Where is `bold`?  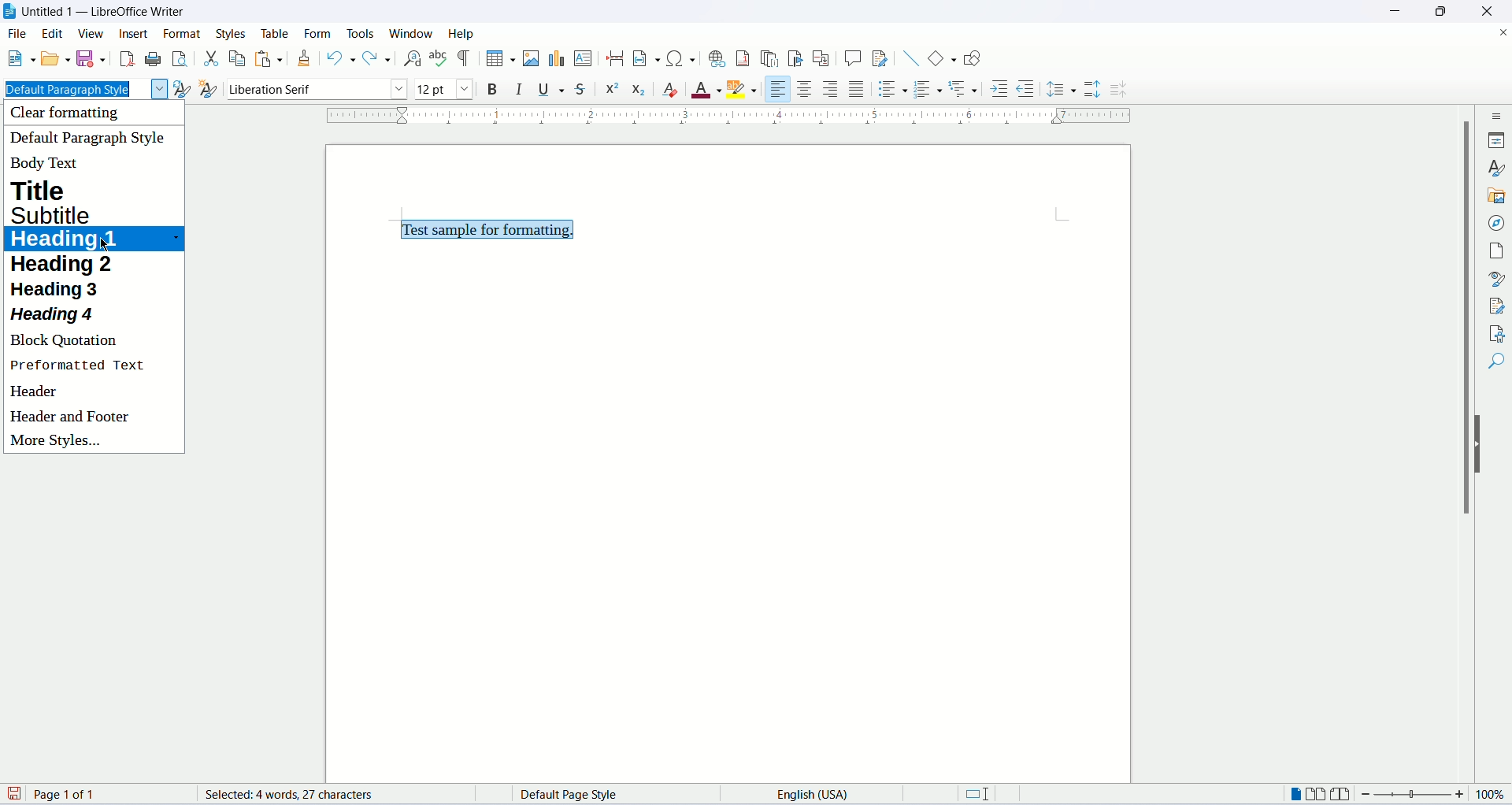 bold is located at coordinates (488, 88).